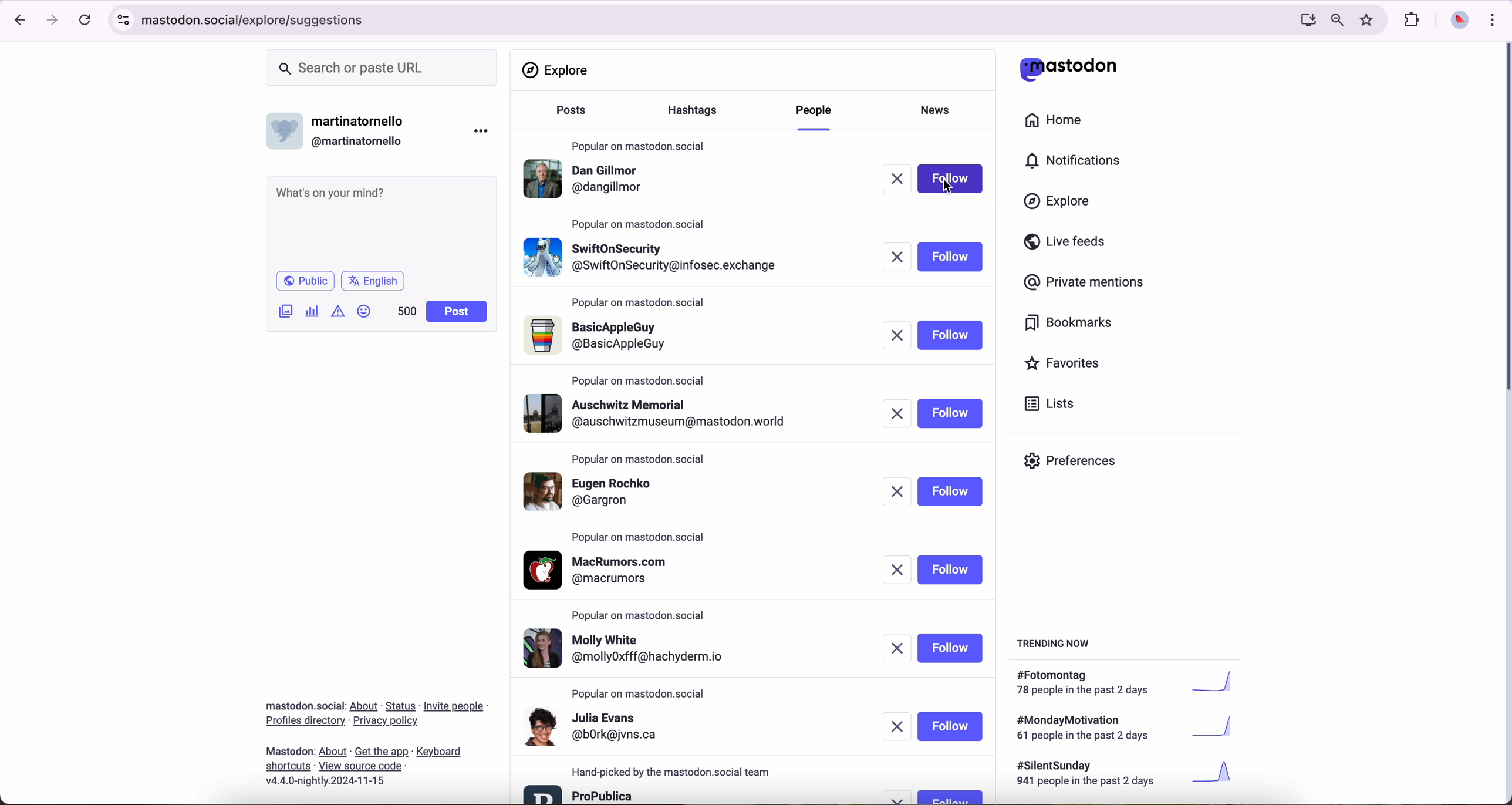 This screenshot has height=805, width=1512. I want to click on customize and control Google Chrome, so click(1491, 19).